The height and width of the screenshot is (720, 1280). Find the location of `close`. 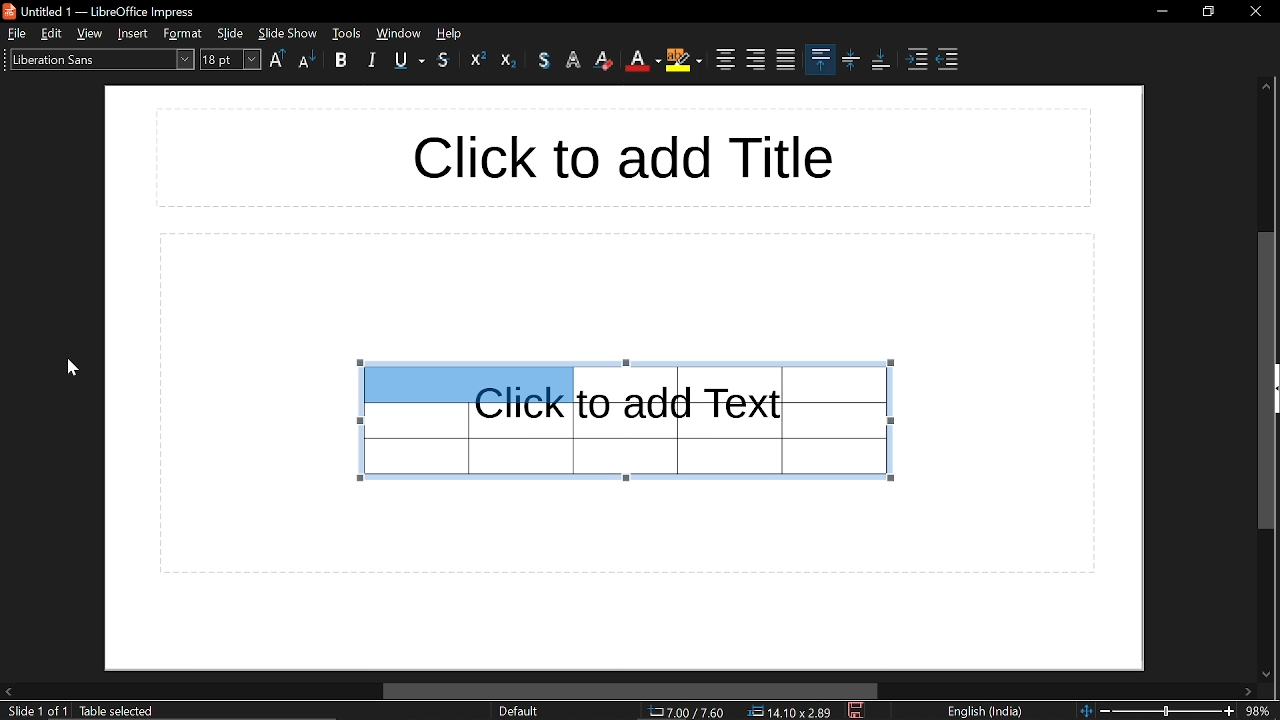

close is located at coordinates (1254, 9).